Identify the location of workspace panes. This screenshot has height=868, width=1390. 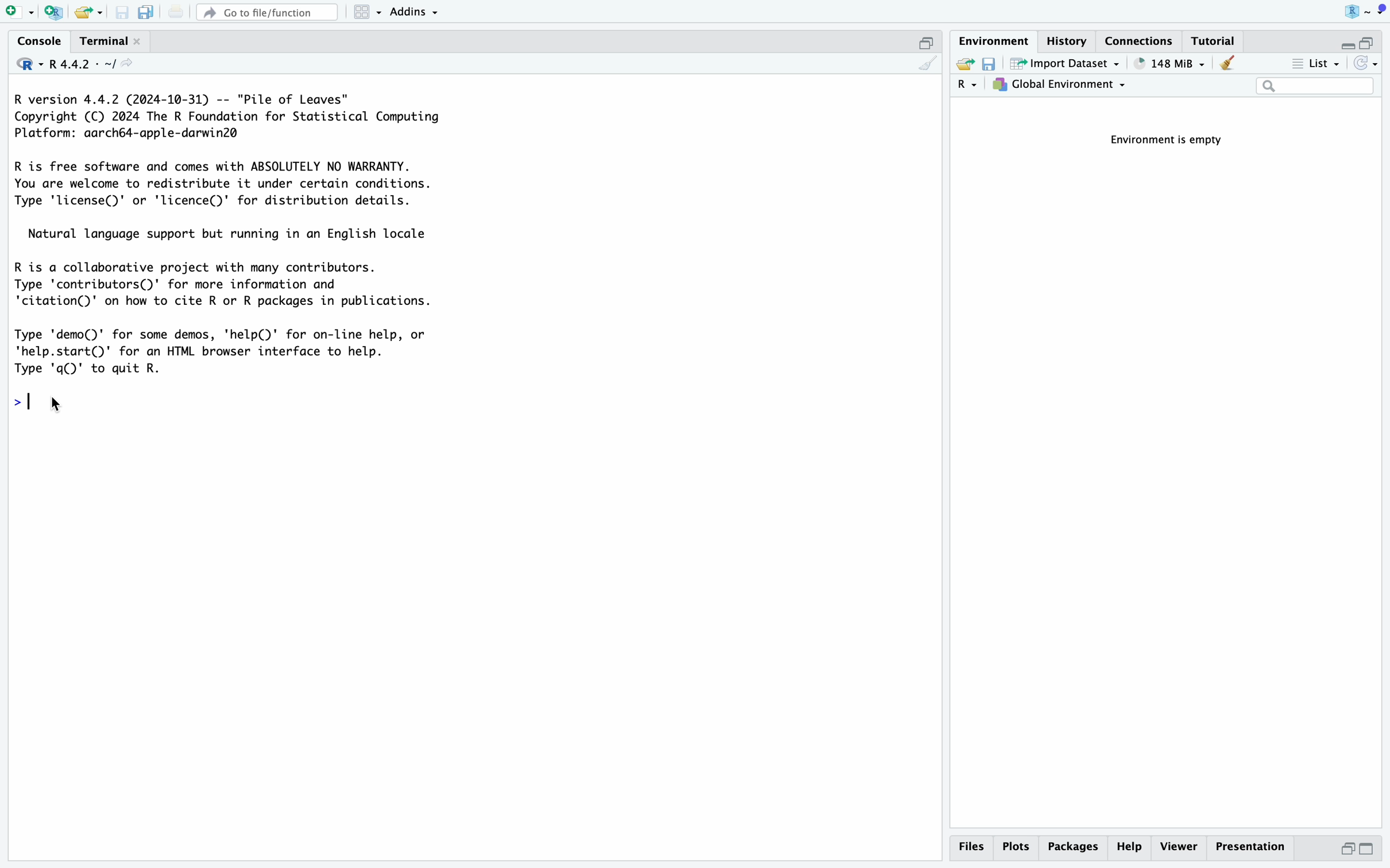
(368, 12).